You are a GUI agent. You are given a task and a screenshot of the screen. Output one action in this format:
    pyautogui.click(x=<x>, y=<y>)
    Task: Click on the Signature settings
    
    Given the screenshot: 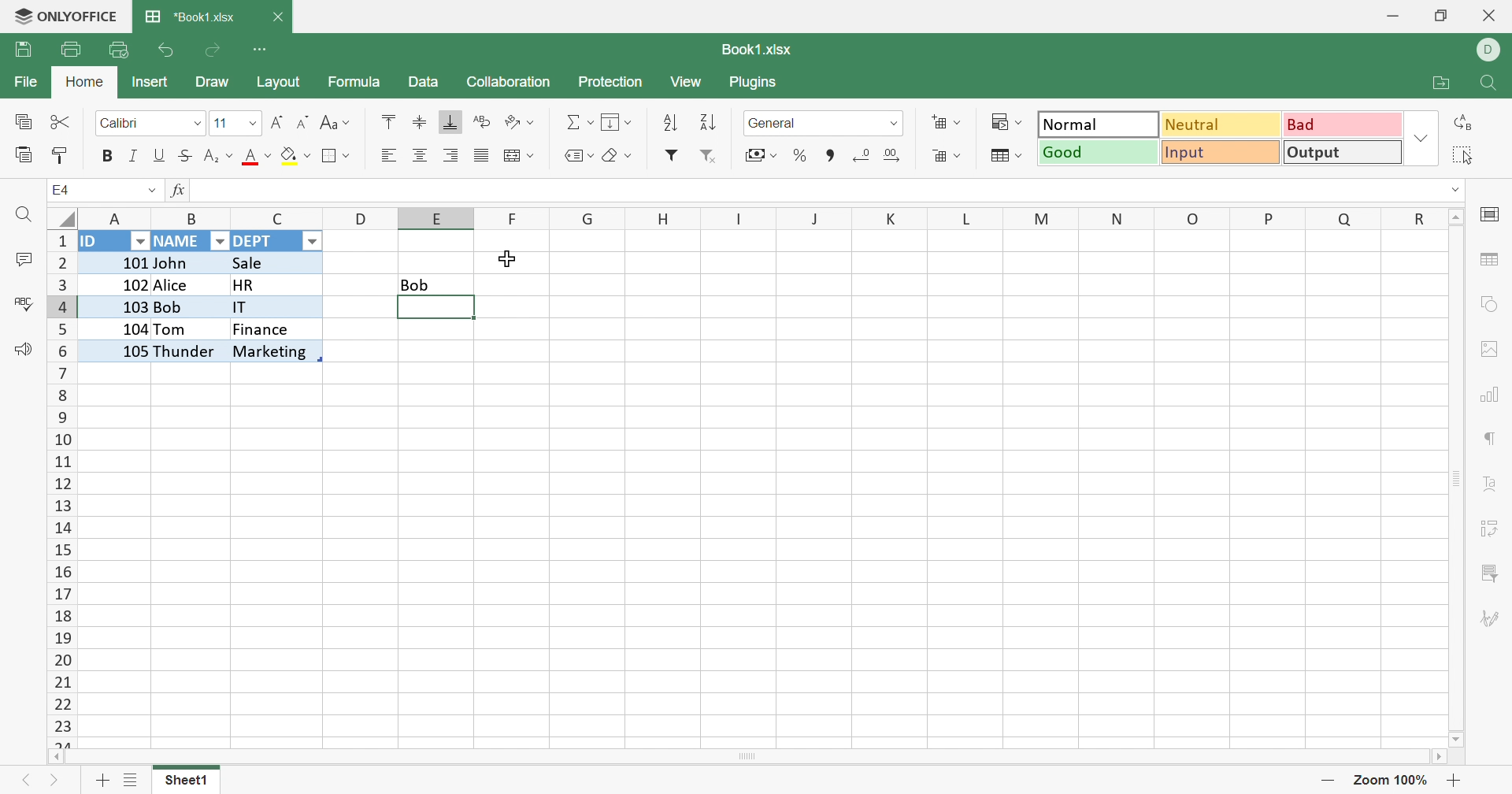 What is the action you would take?
    pyautogui.click(x=1494, y=621)
    